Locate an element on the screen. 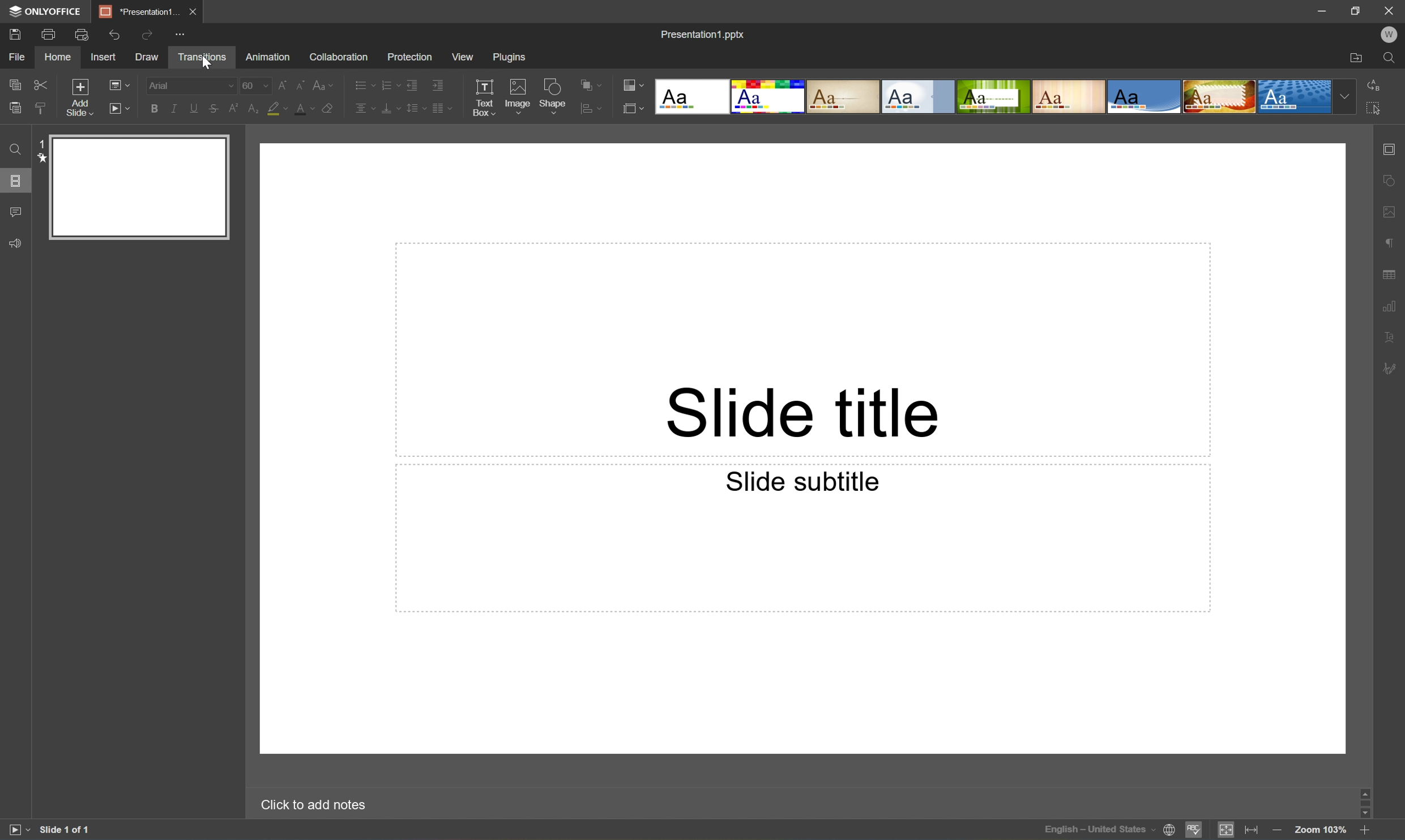 The width and height of the screenshot is (1405, 840). Shape is located at coordinates (552, 93).